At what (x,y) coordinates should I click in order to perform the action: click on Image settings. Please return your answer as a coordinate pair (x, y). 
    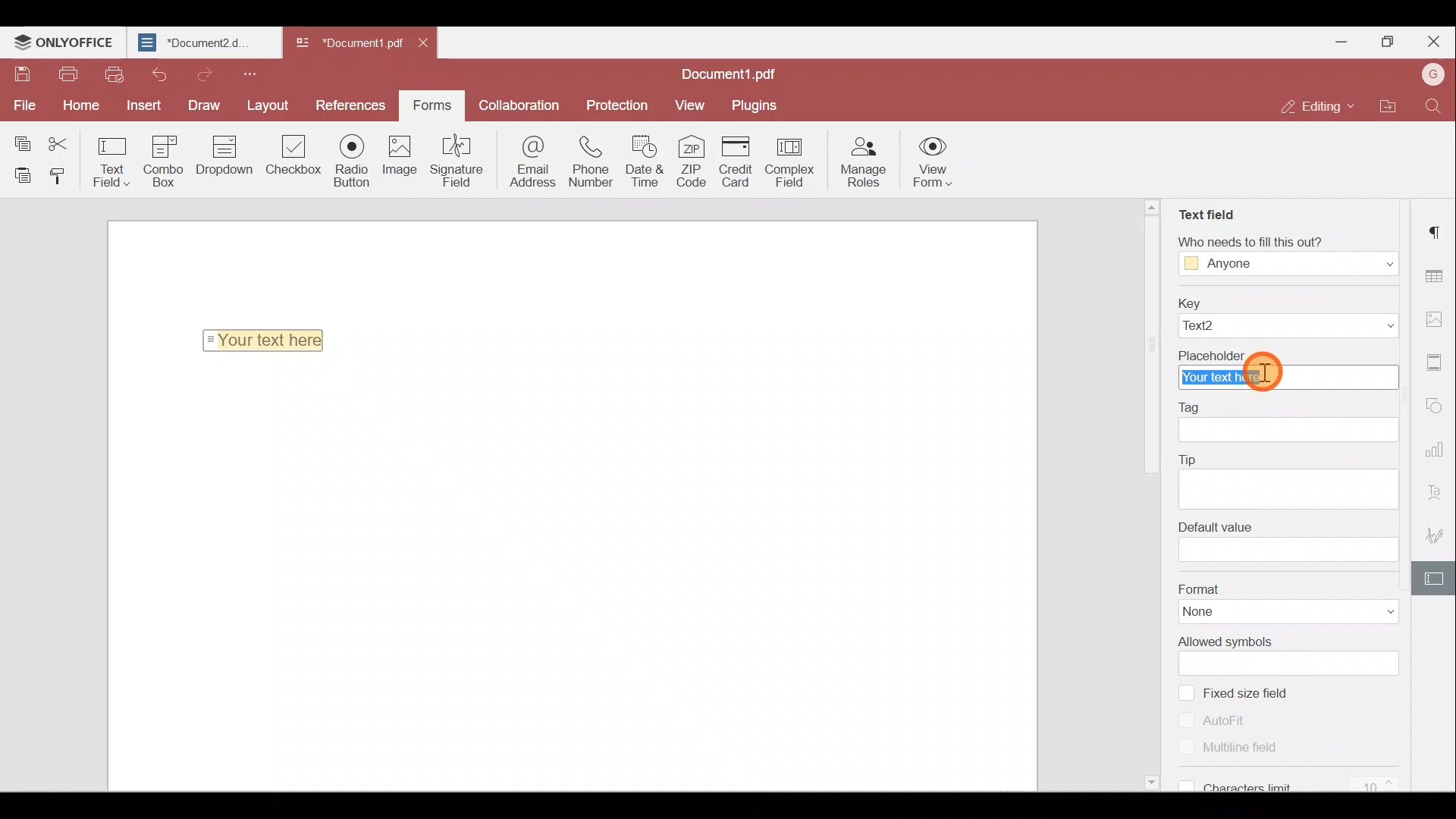
    Looking at the image, I should click on (1435, 318).